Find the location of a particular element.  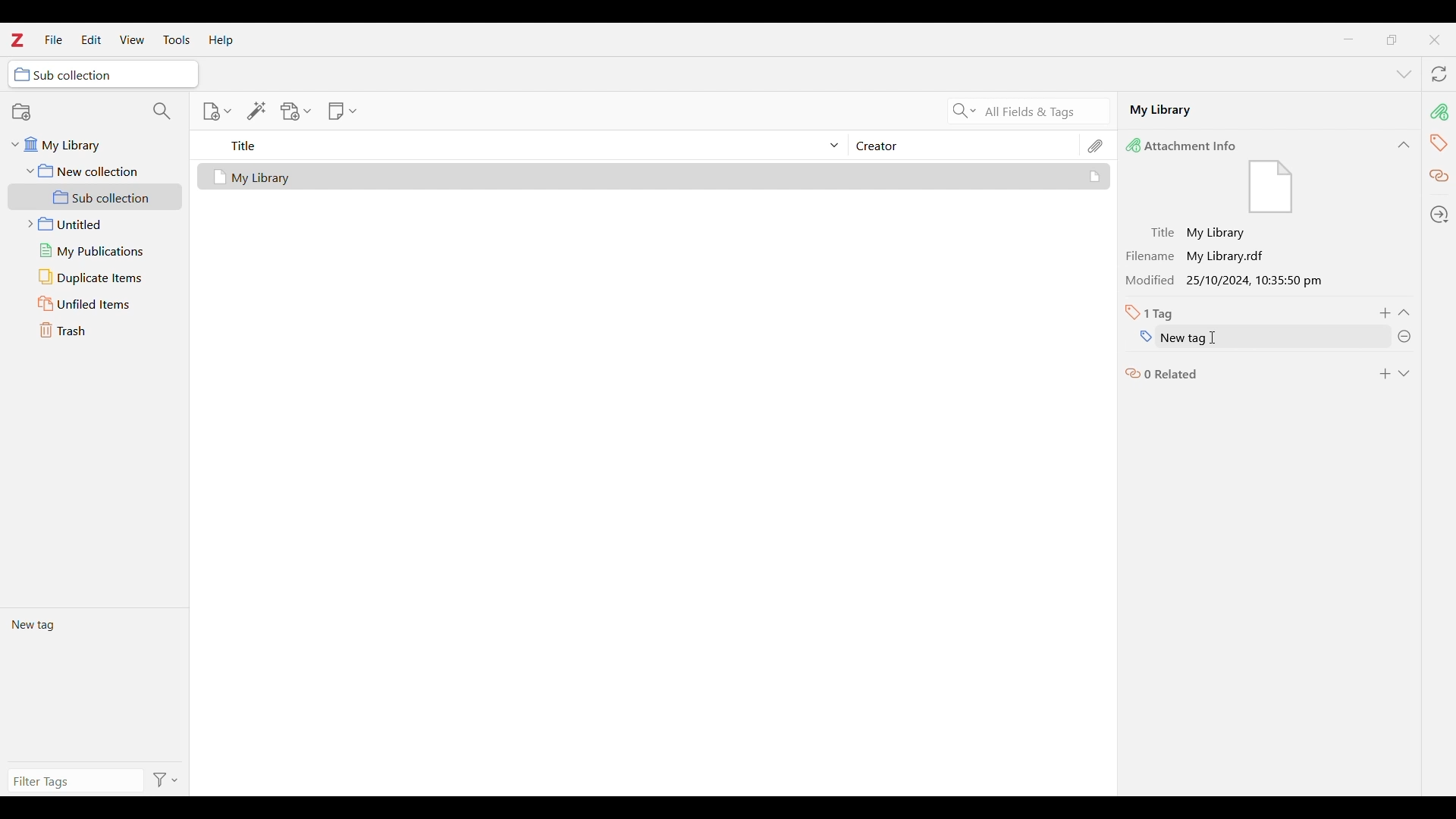

0 related is located at coordinates (1163, 372).